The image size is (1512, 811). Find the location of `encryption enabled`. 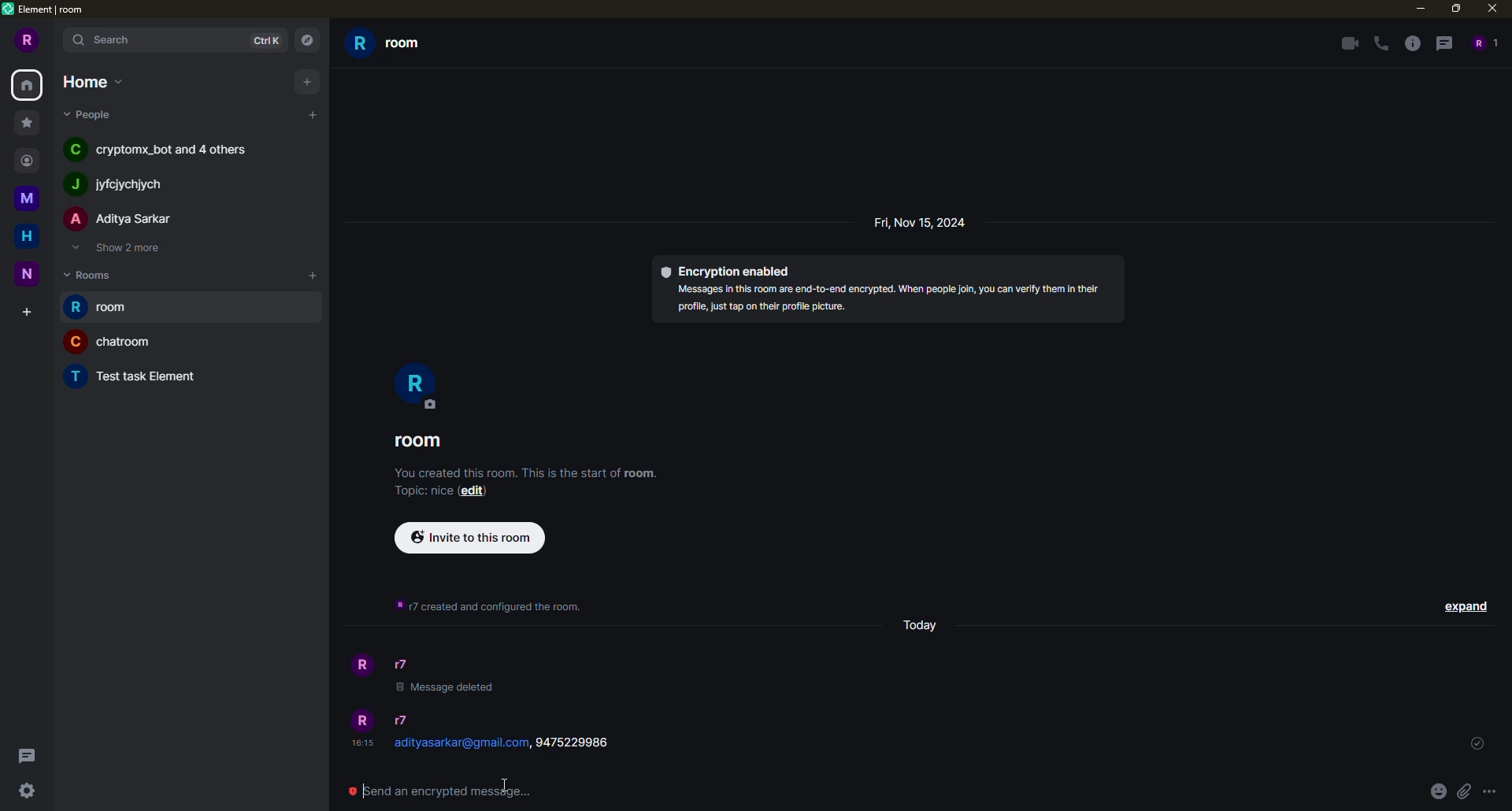

encryption enabled is located at coordinates (731, 268).